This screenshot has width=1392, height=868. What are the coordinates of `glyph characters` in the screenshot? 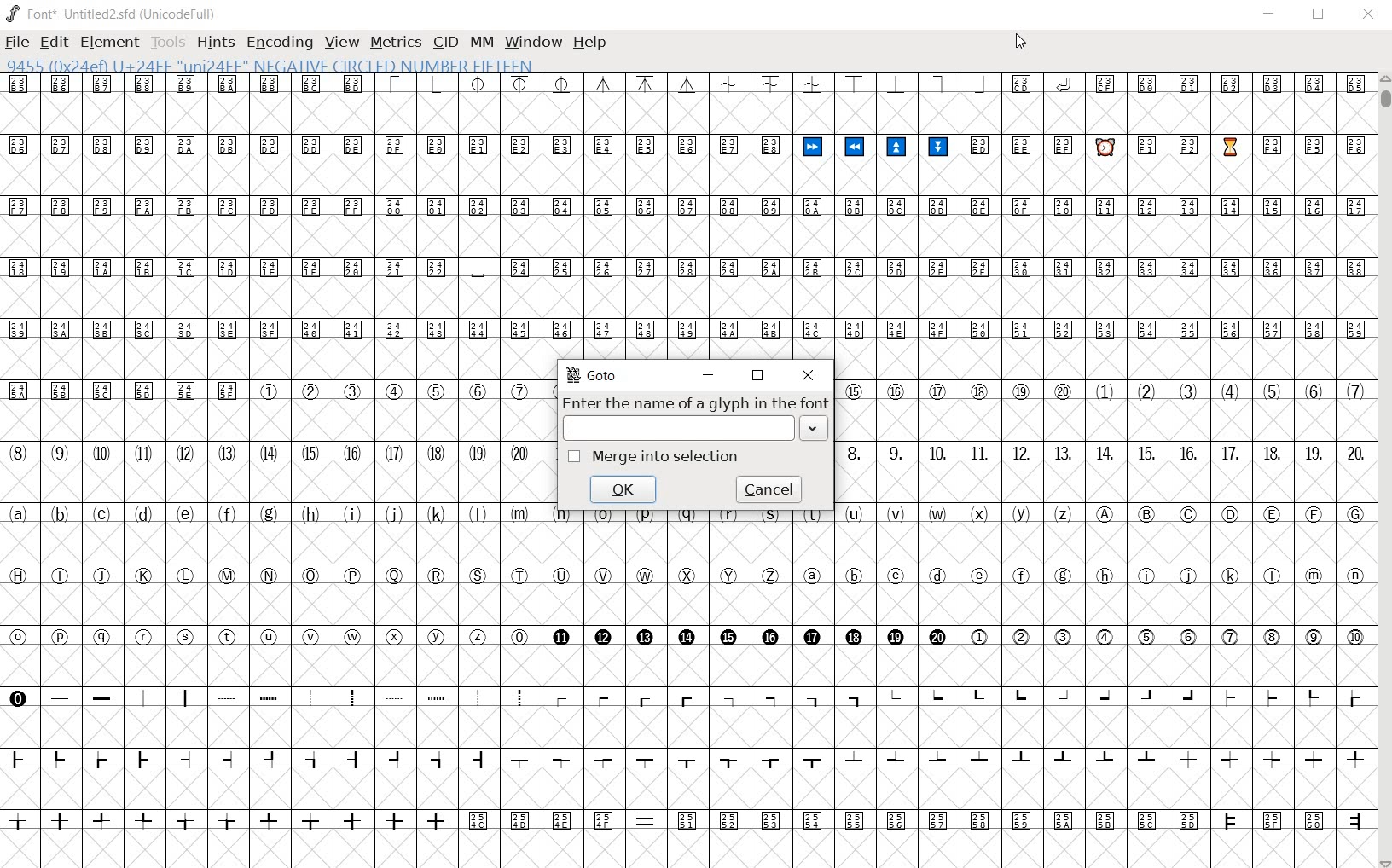 It's located at (960, 215).